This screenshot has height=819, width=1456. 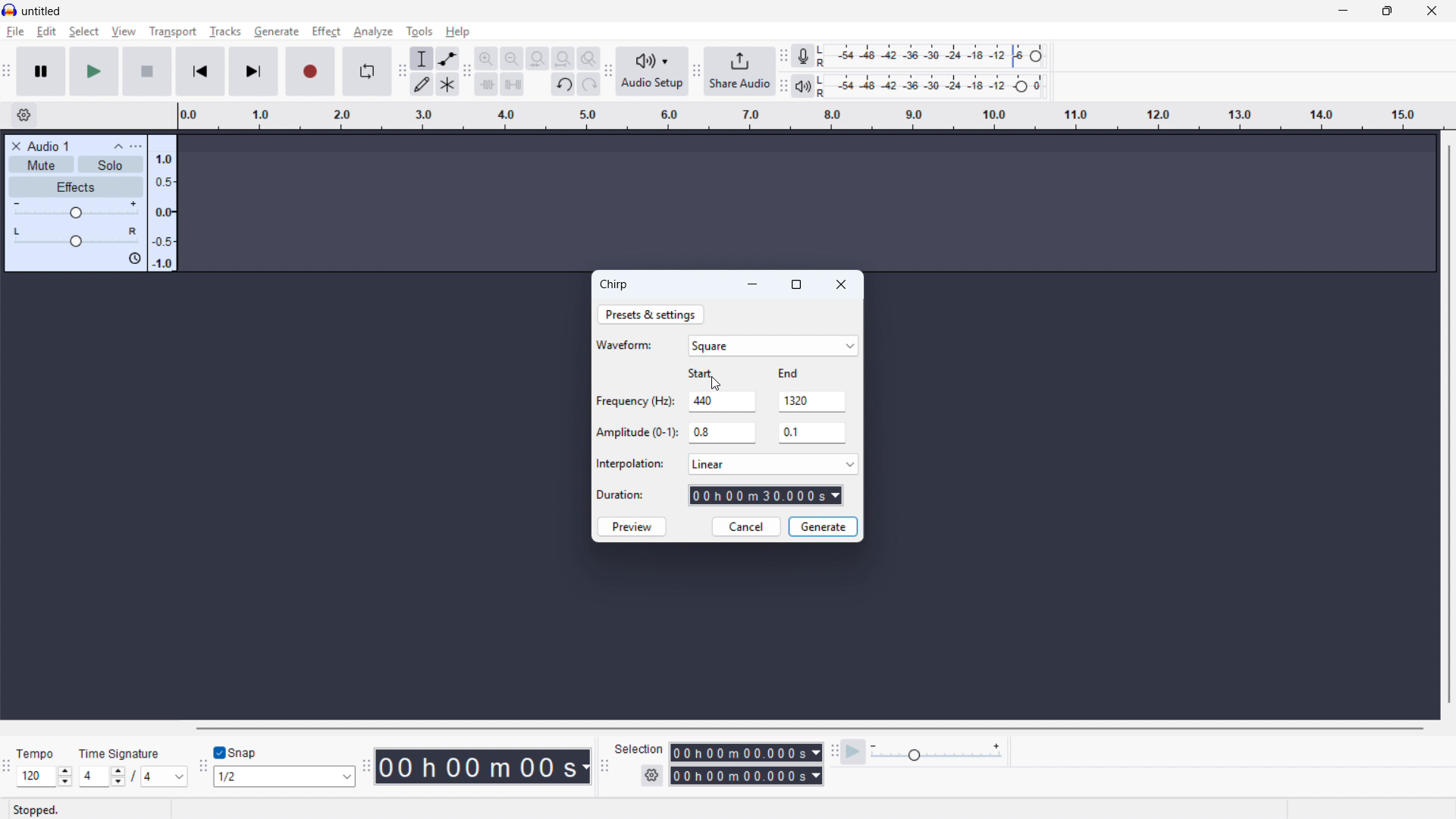 What do you see at coordinates (83, 31) in the screenshot?
I see `select ` at bounding box center [83, 31].